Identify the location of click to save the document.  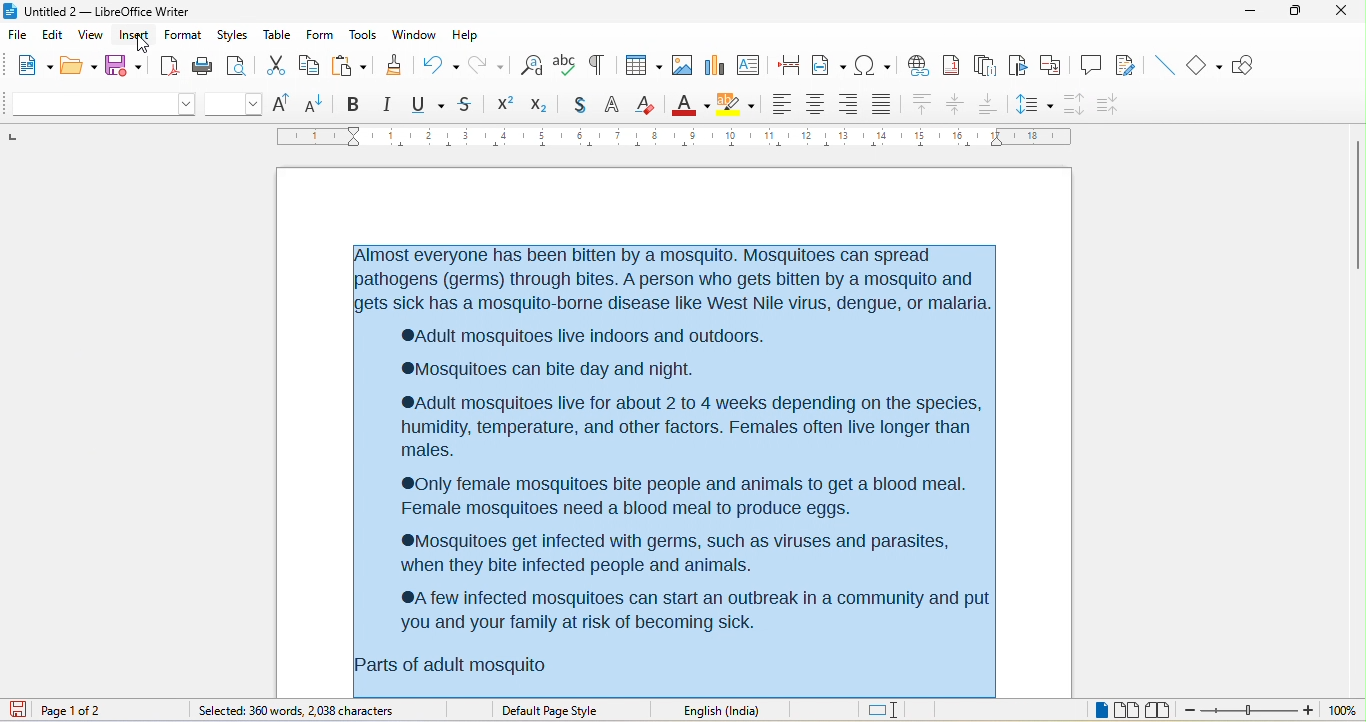
(17, 710).